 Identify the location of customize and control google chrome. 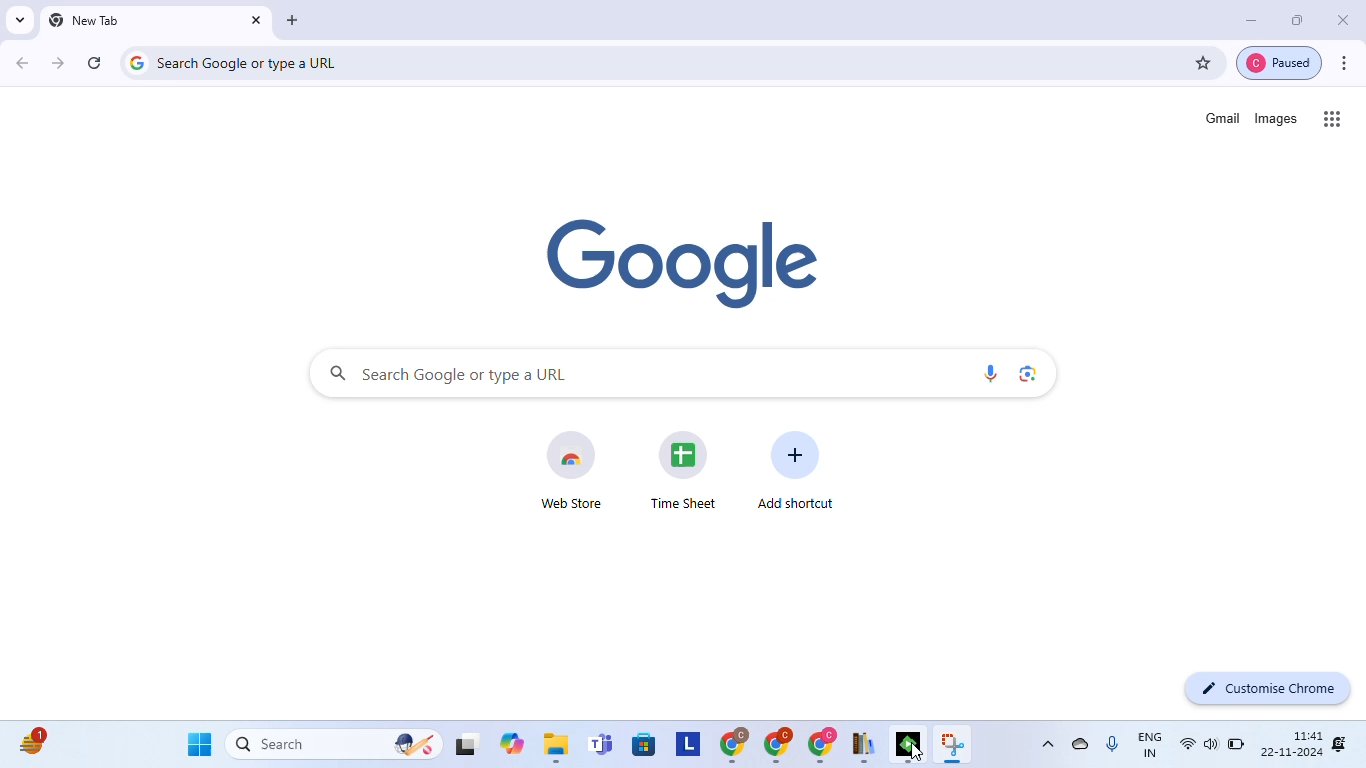
(1349, 63).